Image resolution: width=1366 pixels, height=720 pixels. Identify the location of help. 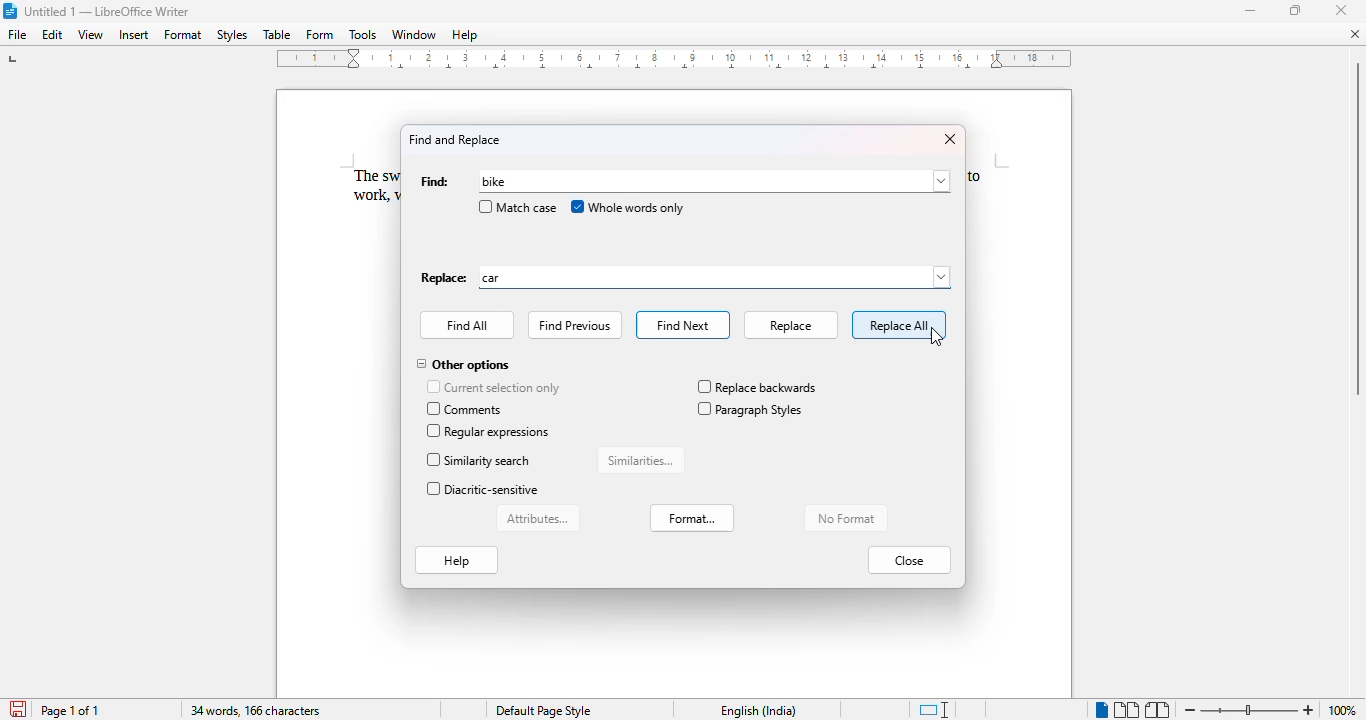
(464, 35).